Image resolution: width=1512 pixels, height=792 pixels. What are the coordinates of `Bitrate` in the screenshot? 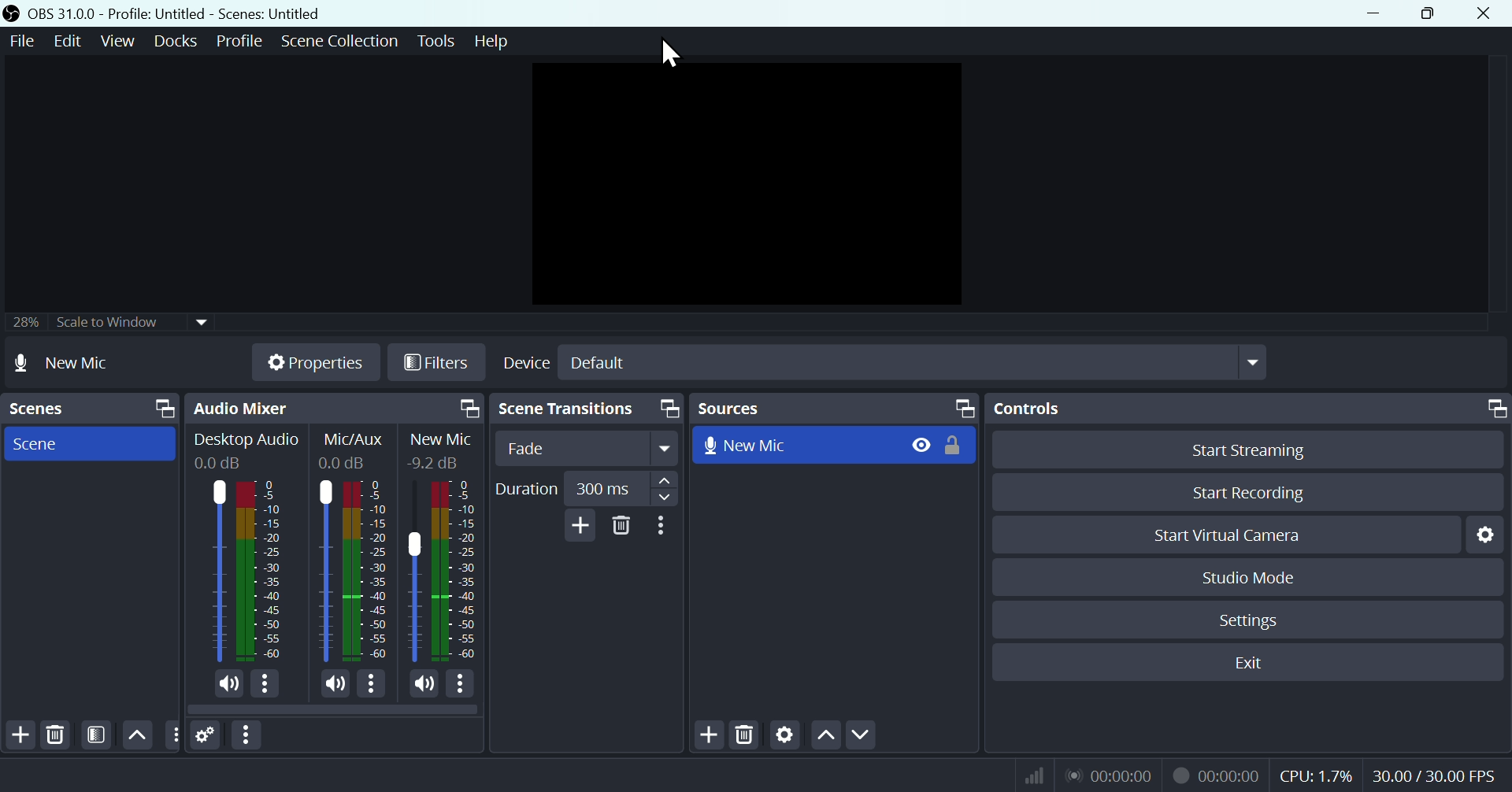 It's located at (1032, 774).